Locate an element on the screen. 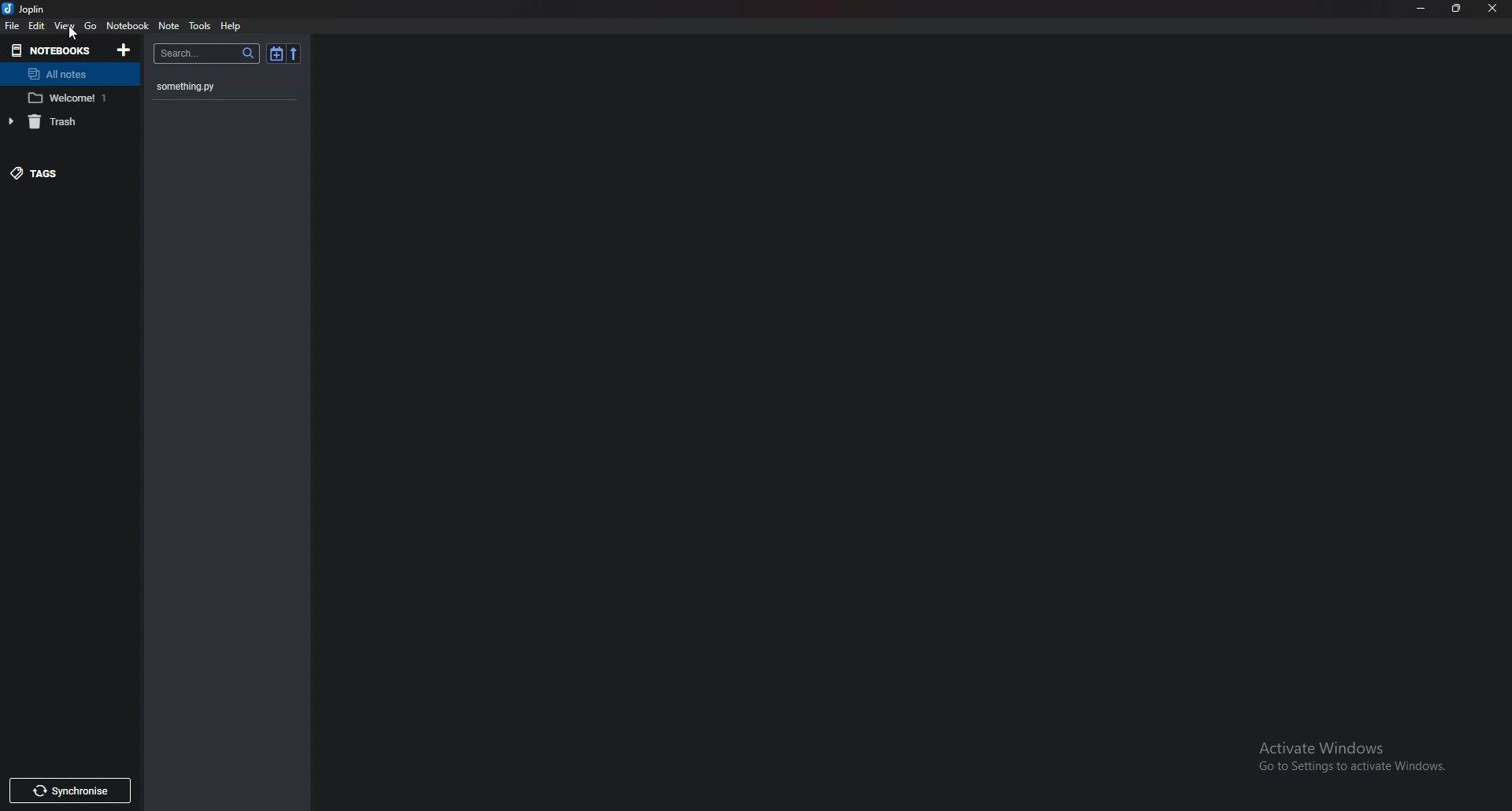 The image size is (1512, 811). All notes is located at coordinates (66, 76).